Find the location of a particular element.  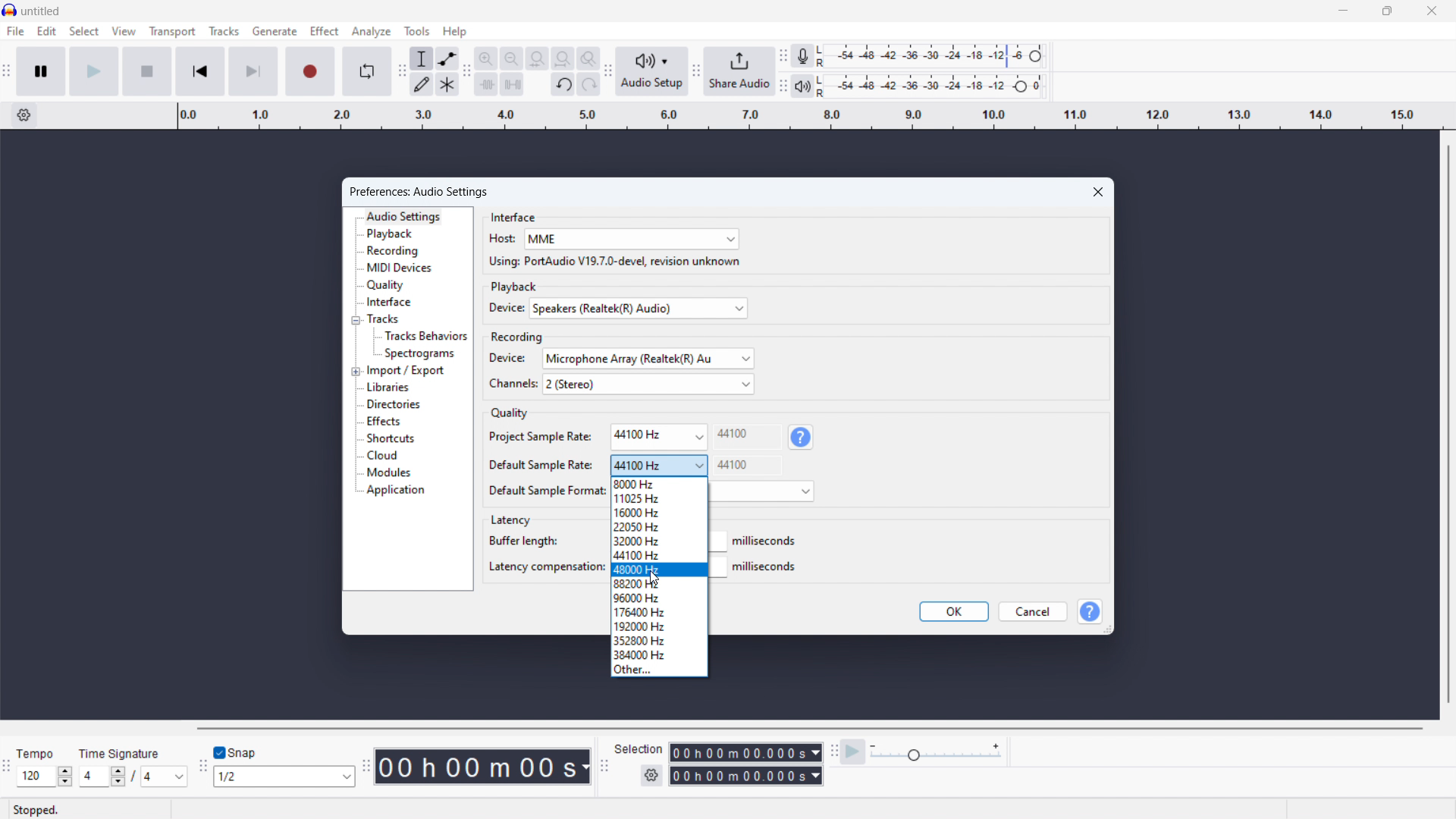

playback meter toolbar is located at coordinates (783, 86).